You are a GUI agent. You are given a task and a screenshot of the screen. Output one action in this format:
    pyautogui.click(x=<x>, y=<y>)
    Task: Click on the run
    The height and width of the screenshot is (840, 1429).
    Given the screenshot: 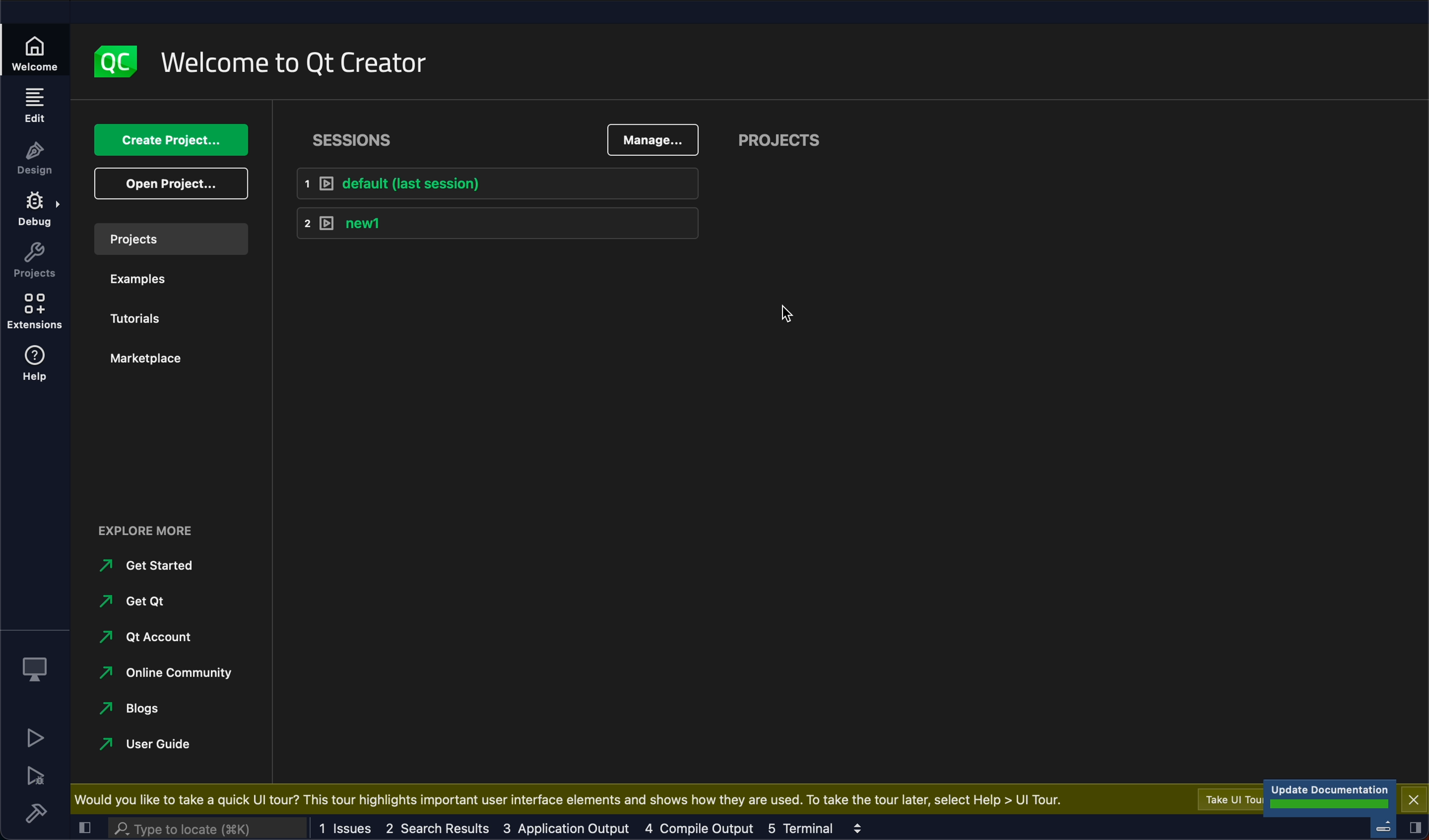 What is the action you would take?
    pyautogui.click(x=34, y=737)
    